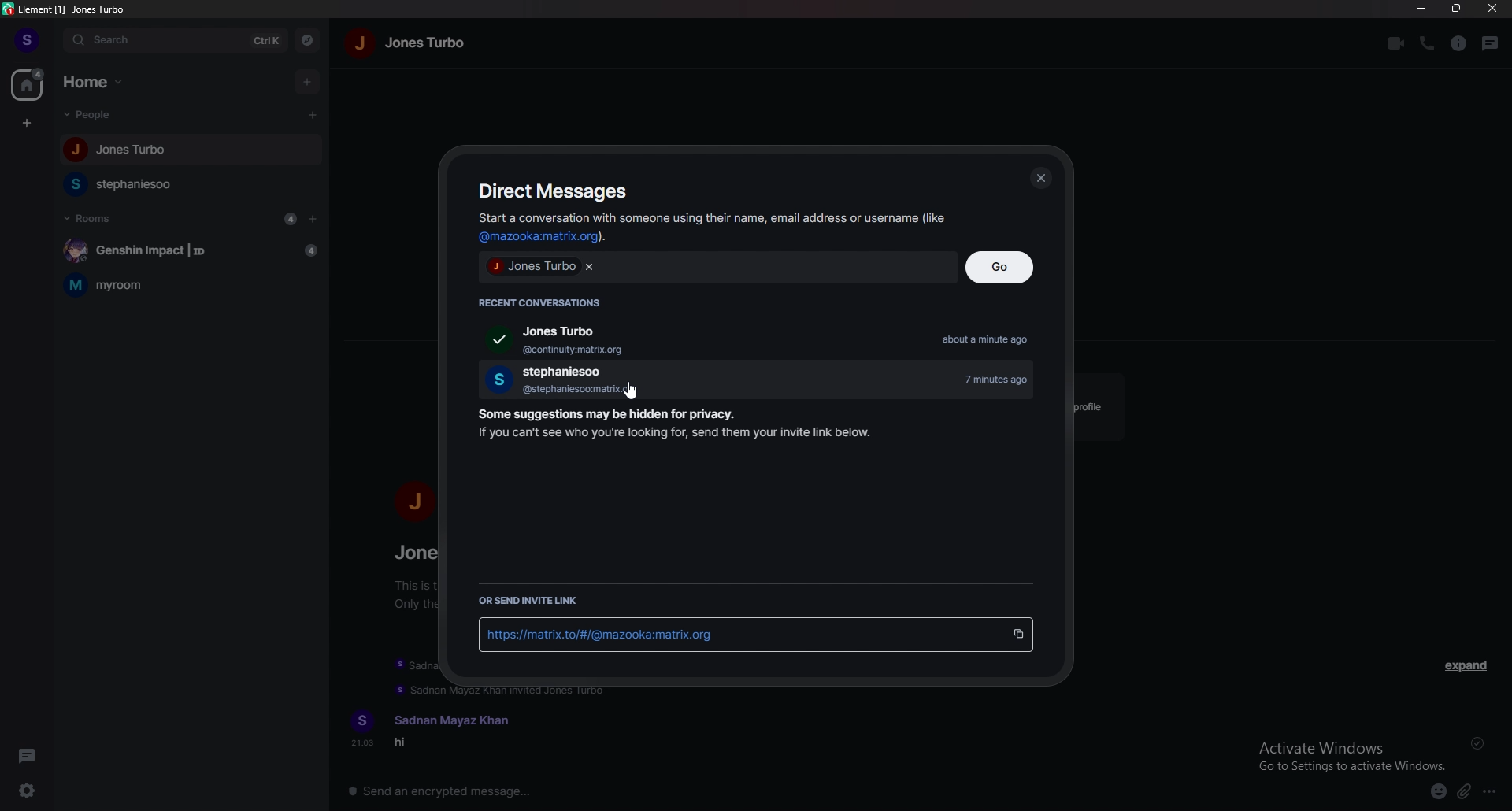 The height and width of the screenshot is (811, 1512). Describe the element at coordinates (30, 790) in the screenshot. I see `quick settings` at that location.